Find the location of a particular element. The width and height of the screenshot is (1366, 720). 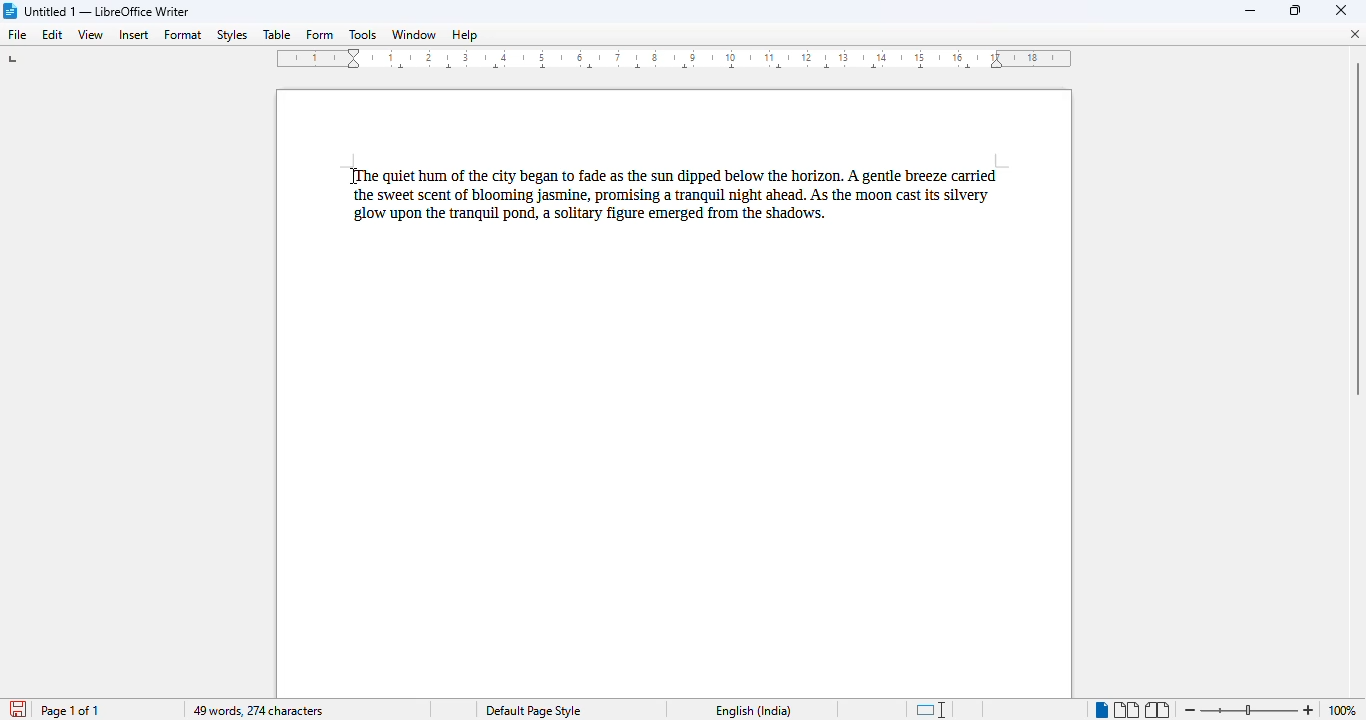

table is located at coordinates (277, 34).